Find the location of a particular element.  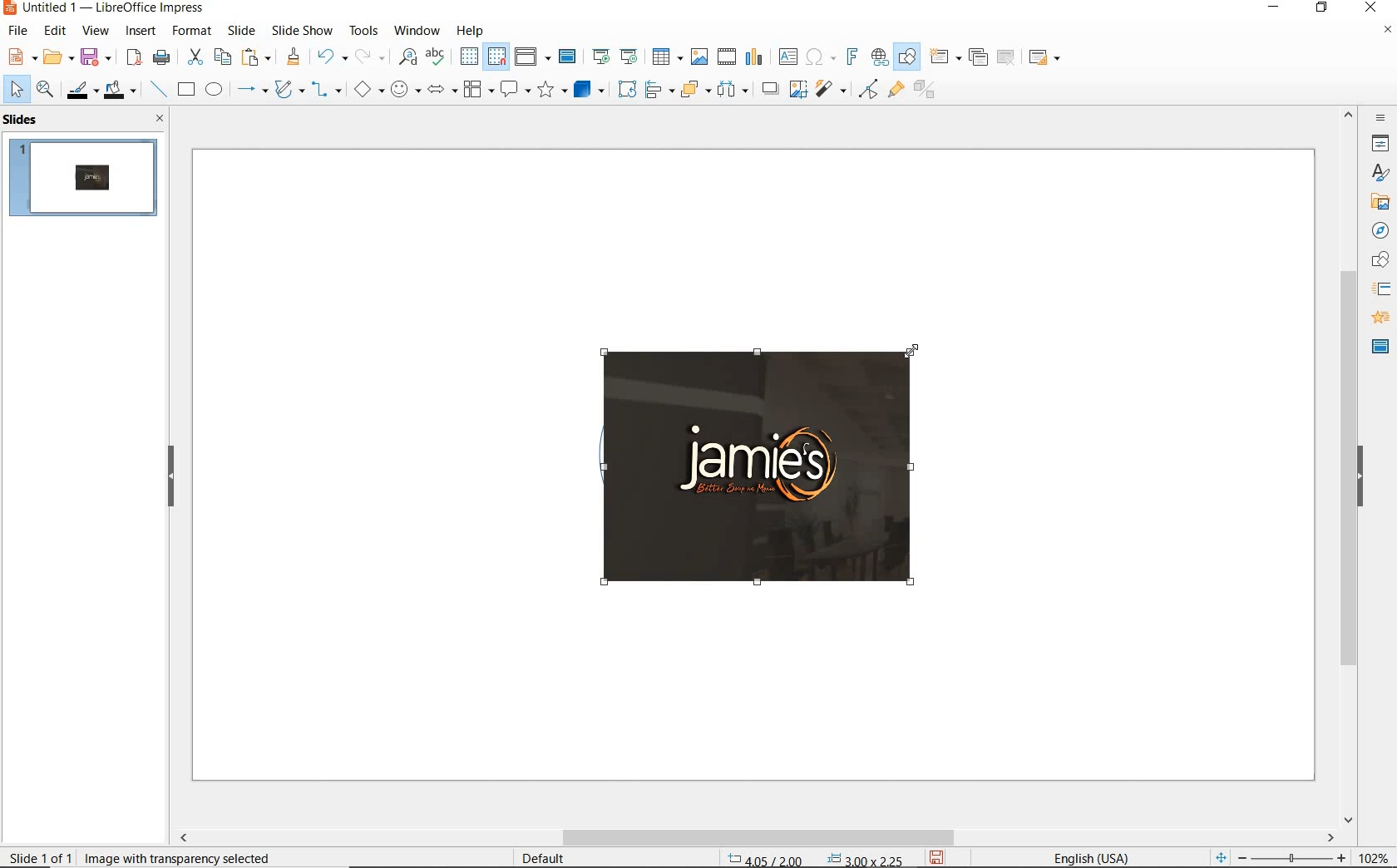

cut is located at coordinates (193, 57).